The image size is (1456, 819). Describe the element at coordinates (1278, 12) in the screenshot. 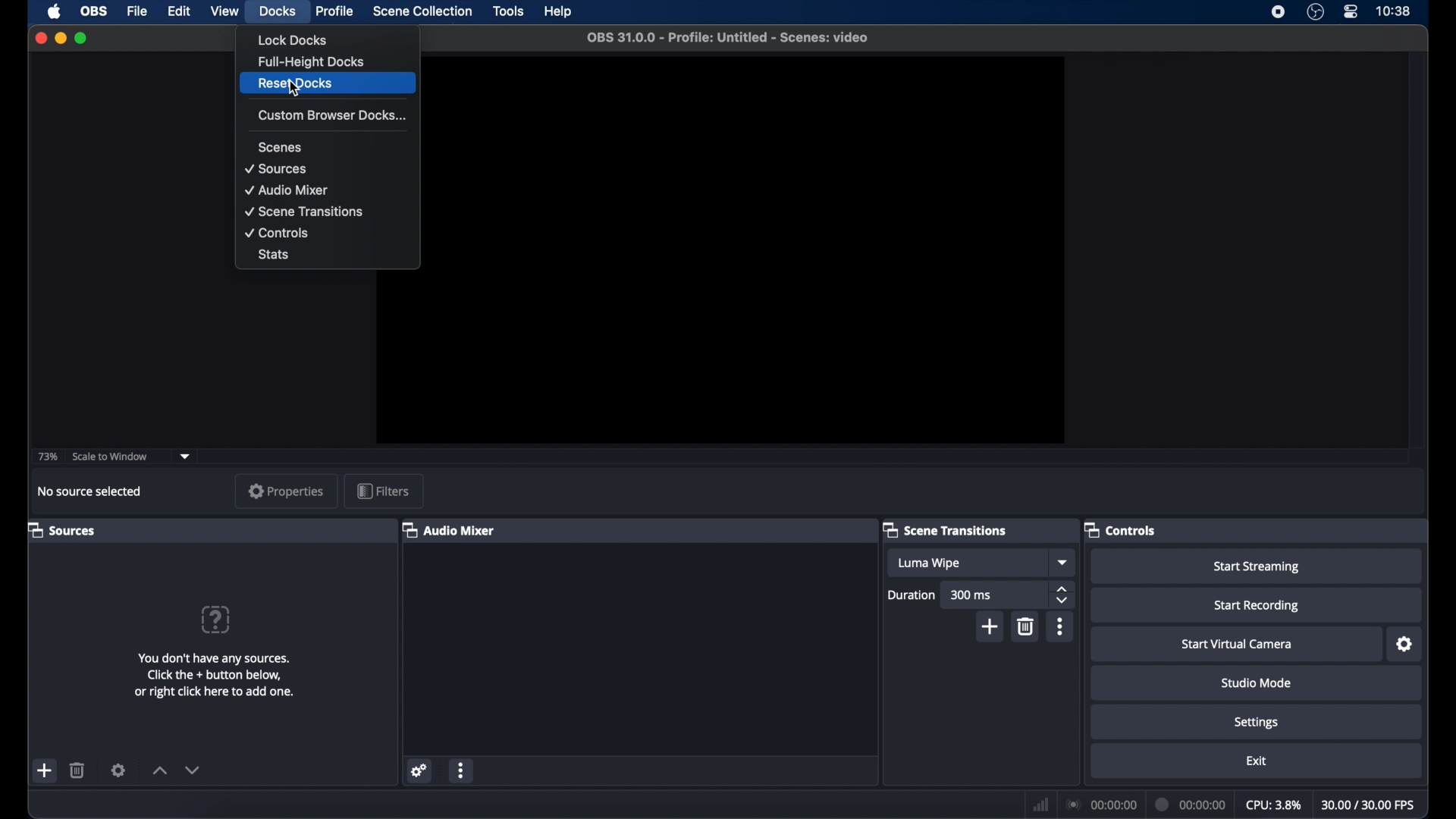

I see `screen recorder icon` at that location.